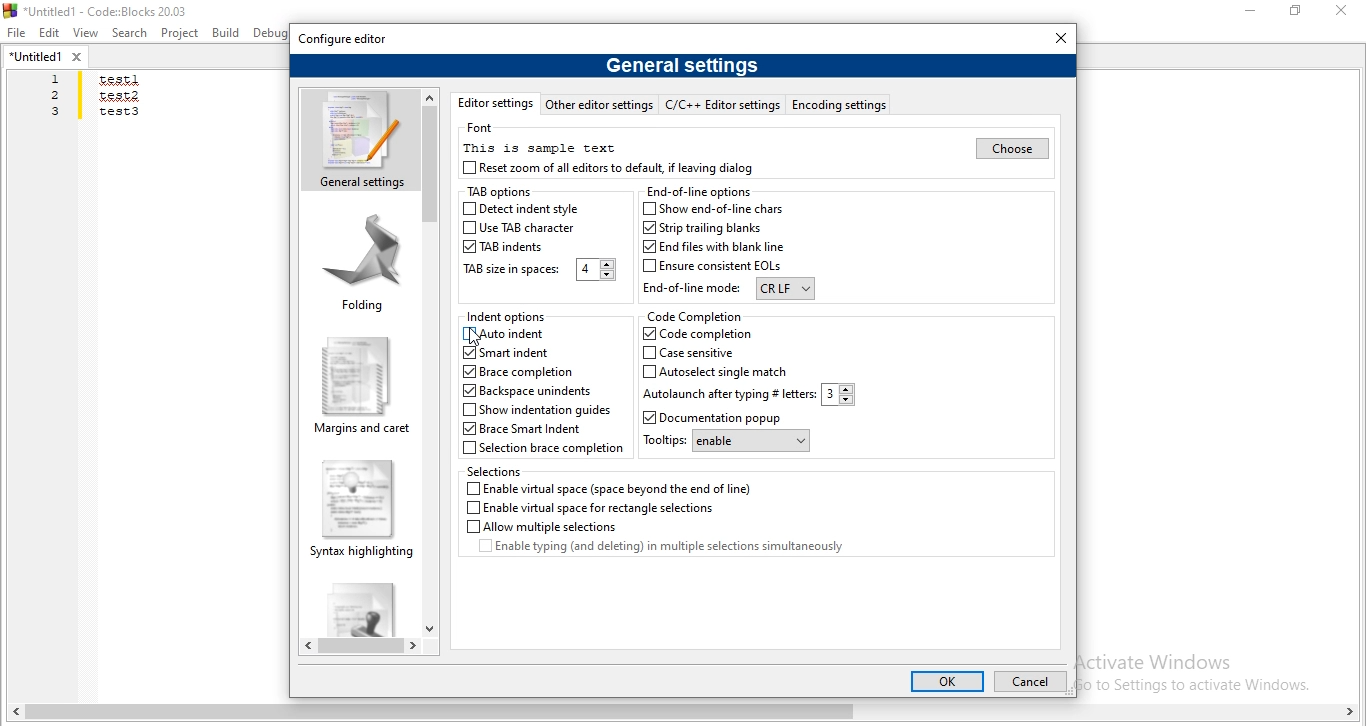  Describe the element at coordinates (683, 714) in the screenshot. I see `scroll bar` at that location.